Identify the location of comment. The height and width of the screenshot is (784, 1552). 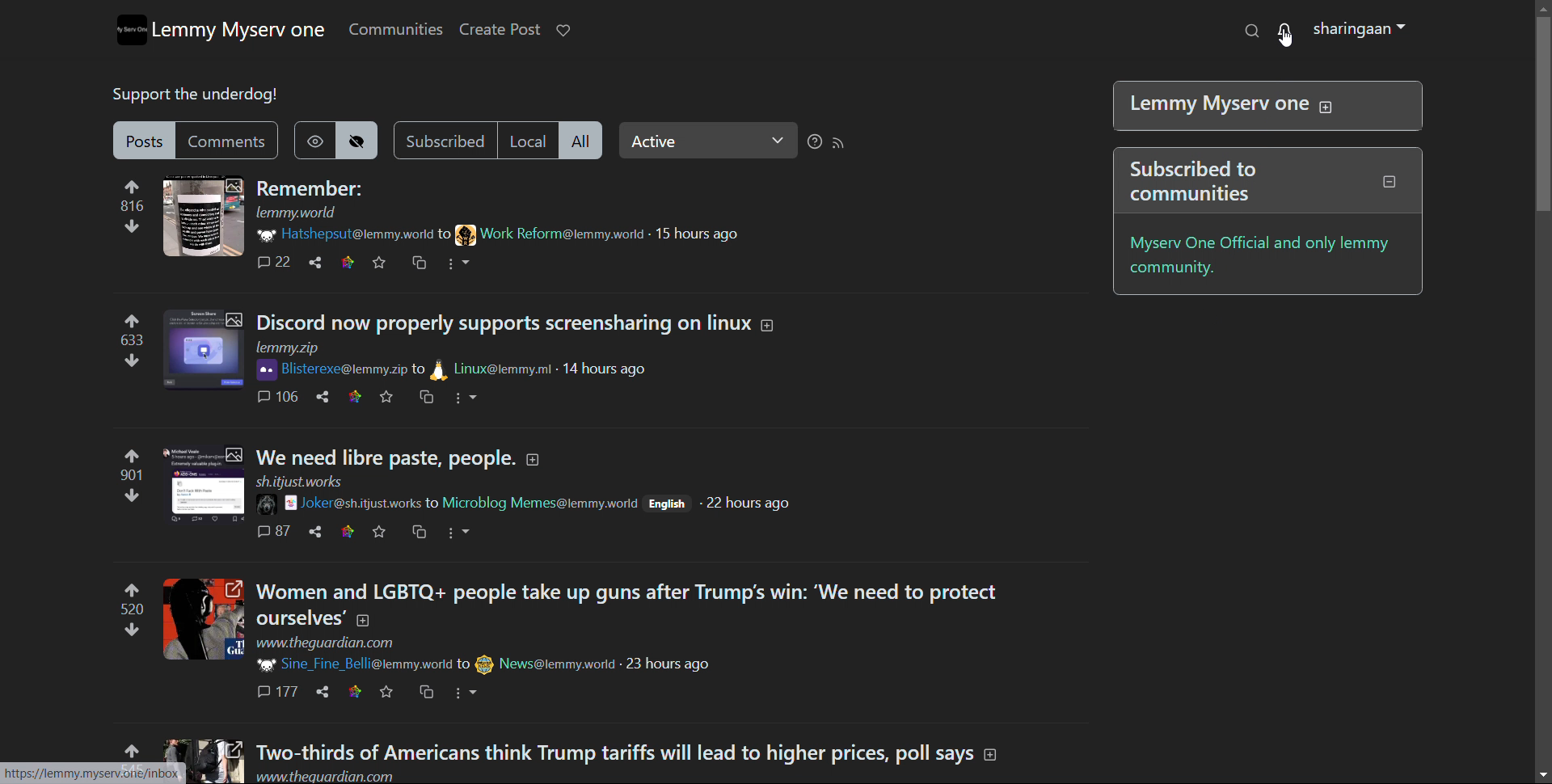
(276, 397).